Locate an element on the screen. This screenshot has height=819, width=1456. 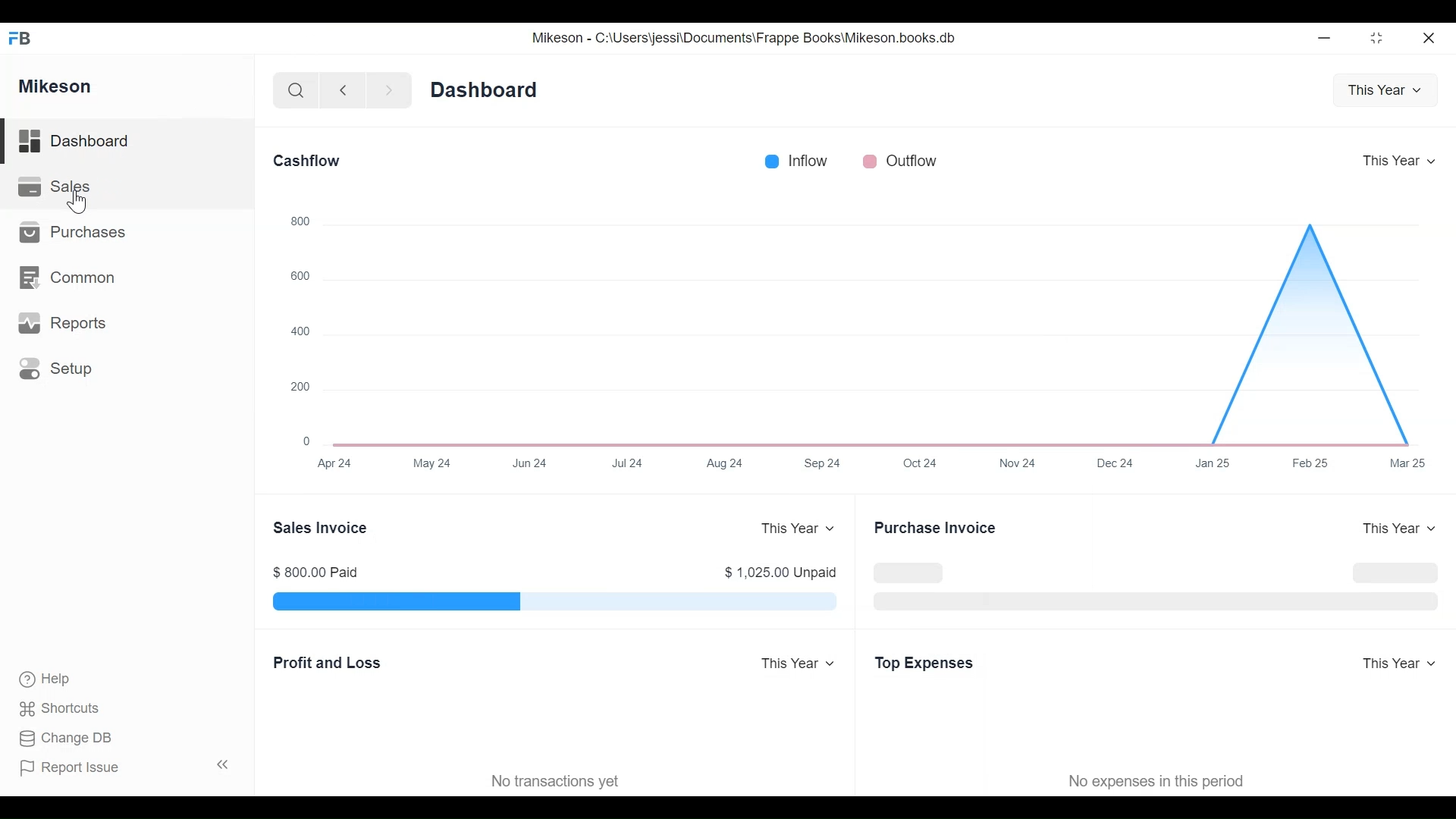
Reports is located at coordinates (67, 324).